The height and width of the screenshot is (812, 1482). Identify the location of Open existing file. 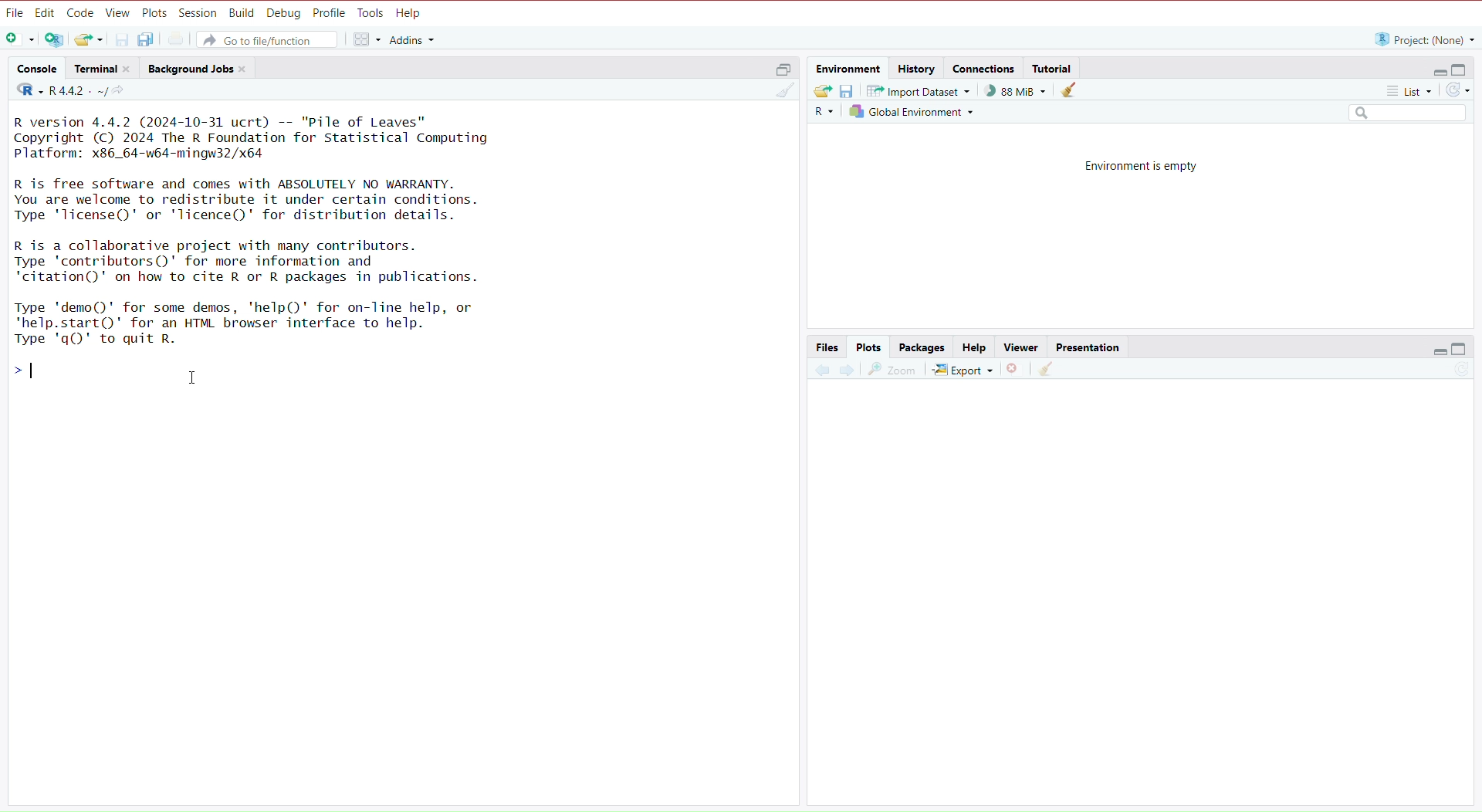
(88, 39).